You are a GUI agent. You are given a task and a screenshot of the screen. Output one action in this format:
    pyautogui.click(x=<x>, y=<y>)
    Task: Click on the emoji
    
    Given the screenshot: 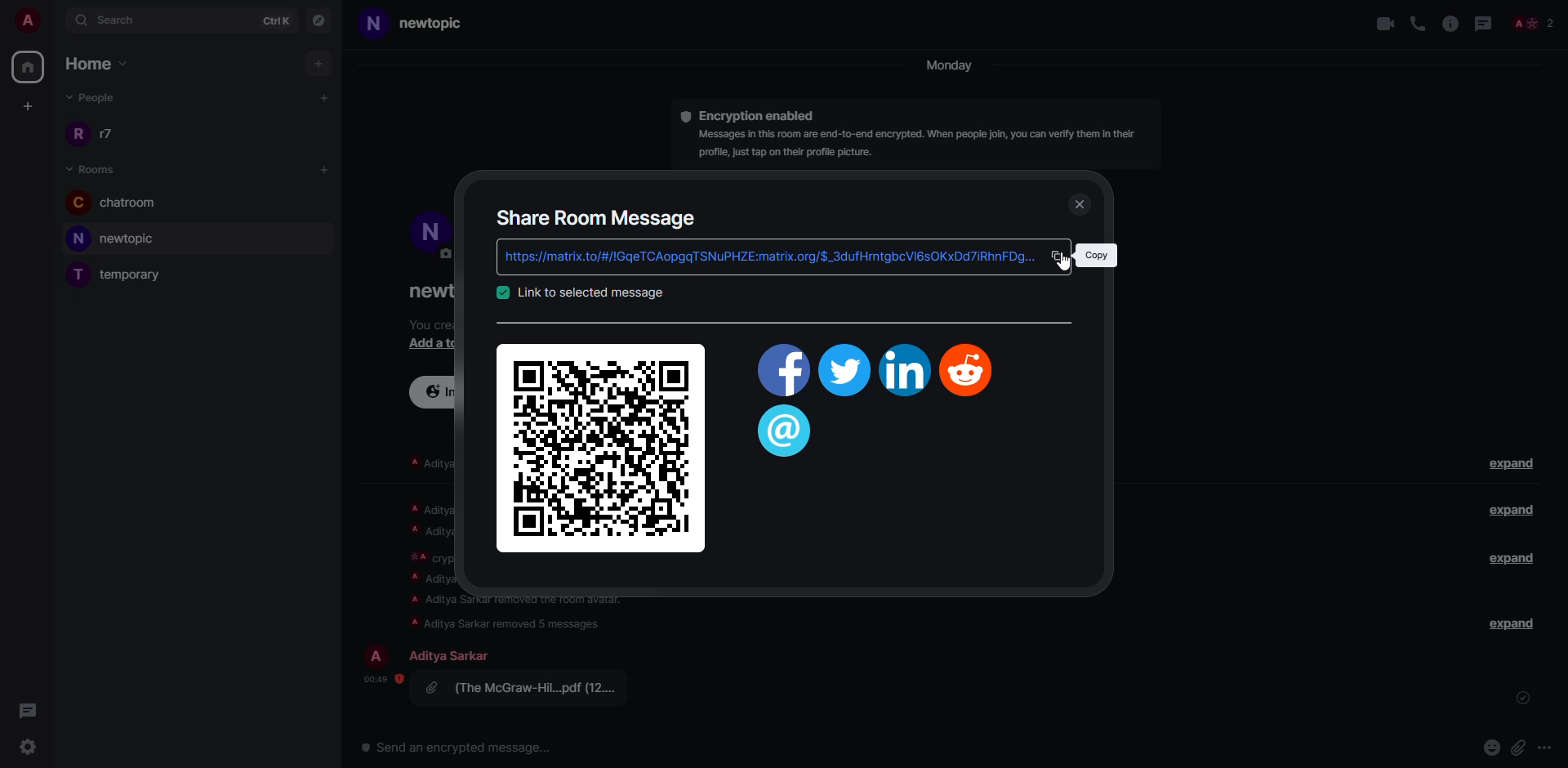 What is the action you would take?
    pyautogui.click(x=1492, y=746)
    